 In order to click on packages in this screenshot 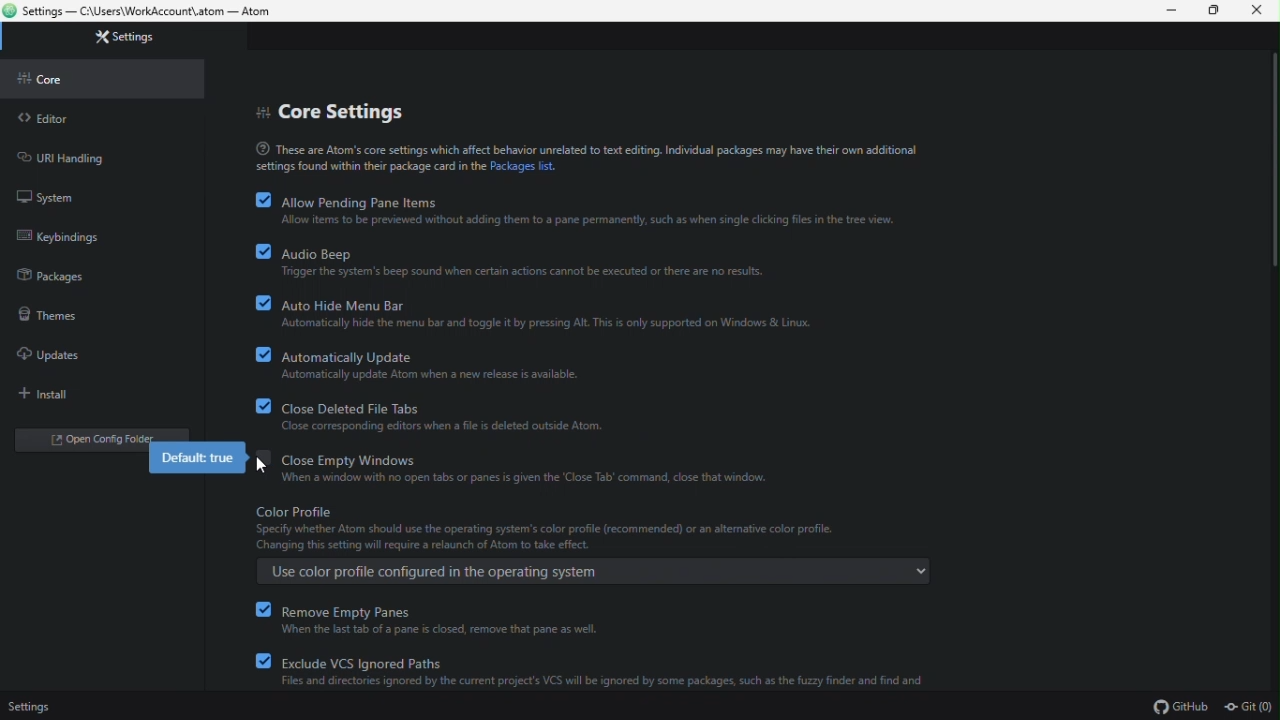, I will do `click(48, 274)`.